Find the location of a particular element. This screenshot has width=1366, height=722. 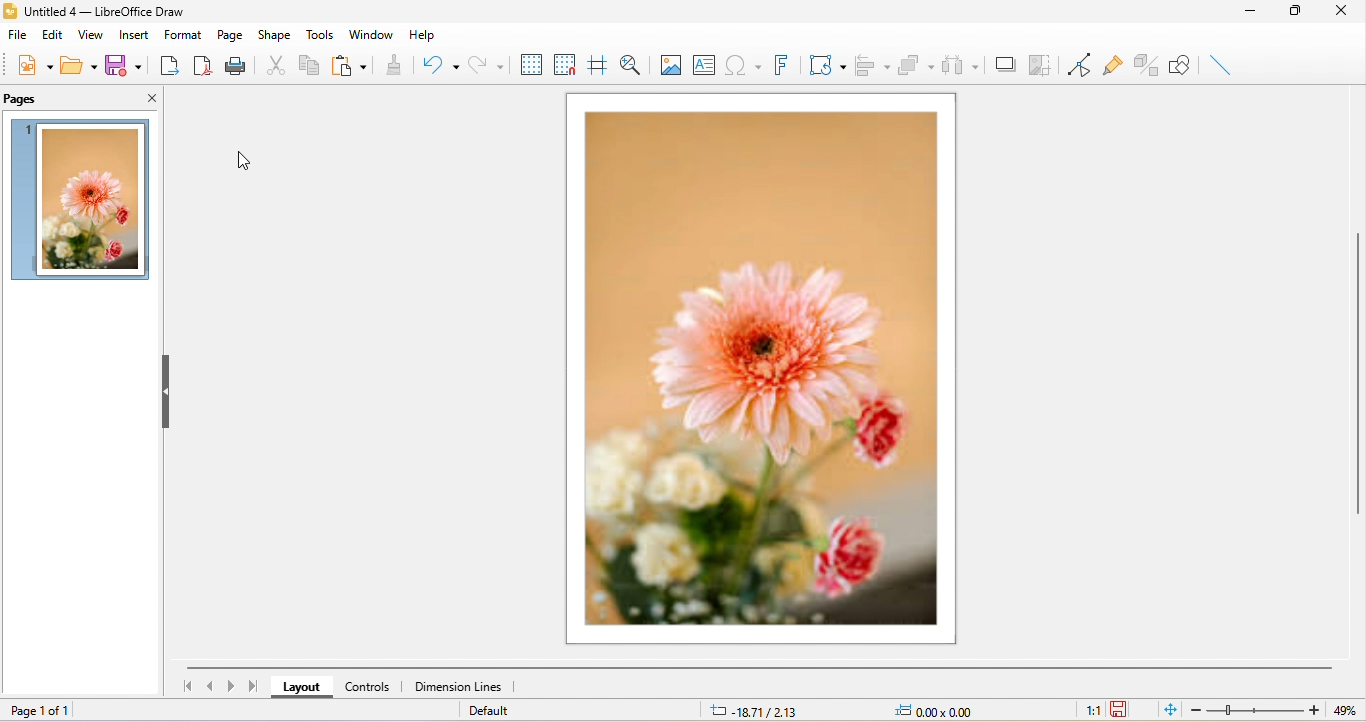

redo is located at coordinates (488, 64).